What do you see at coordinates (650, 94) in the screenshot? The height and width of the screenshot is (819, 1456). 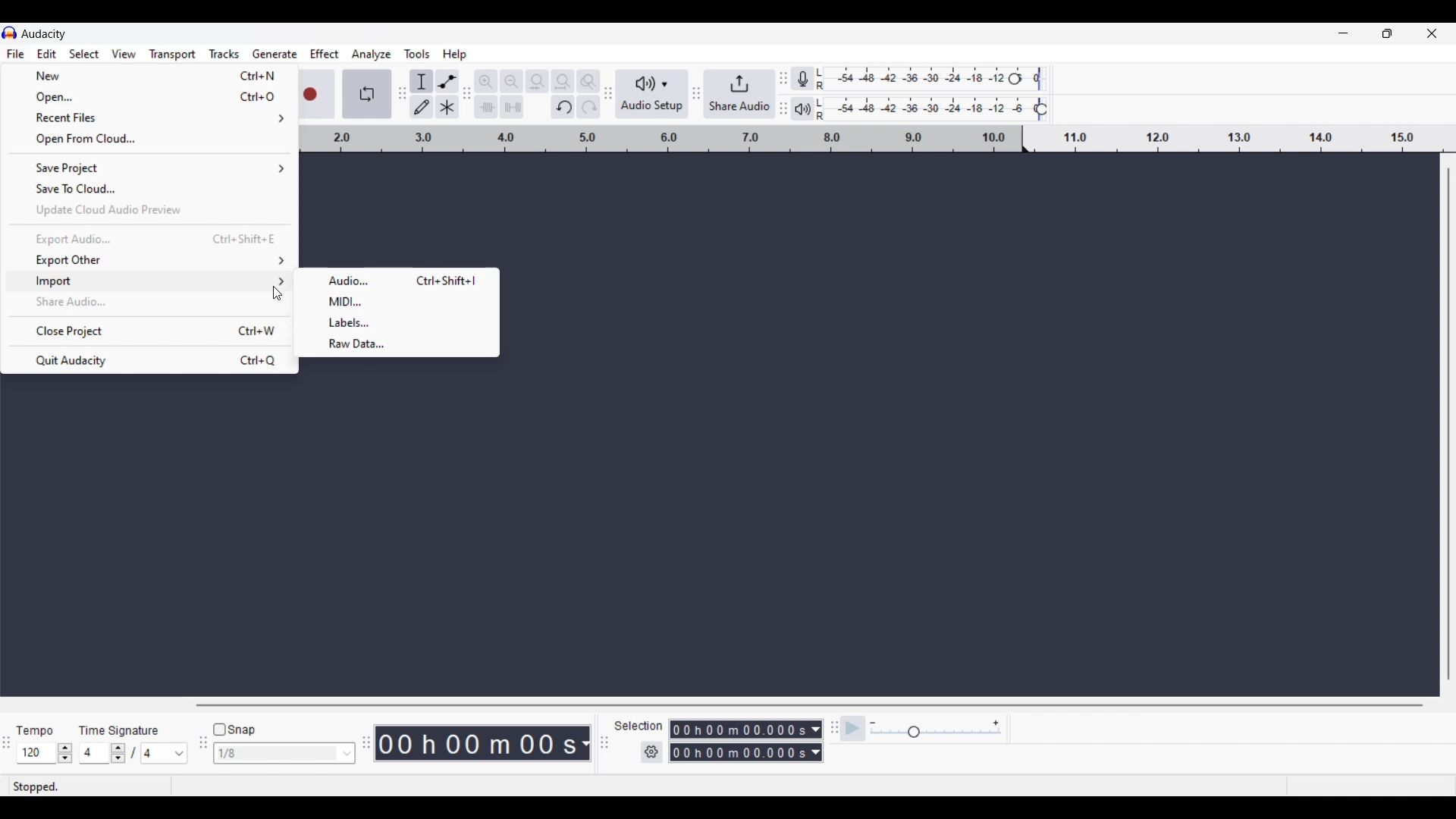 I see `Audio setup` at bounding box center [650, 94].